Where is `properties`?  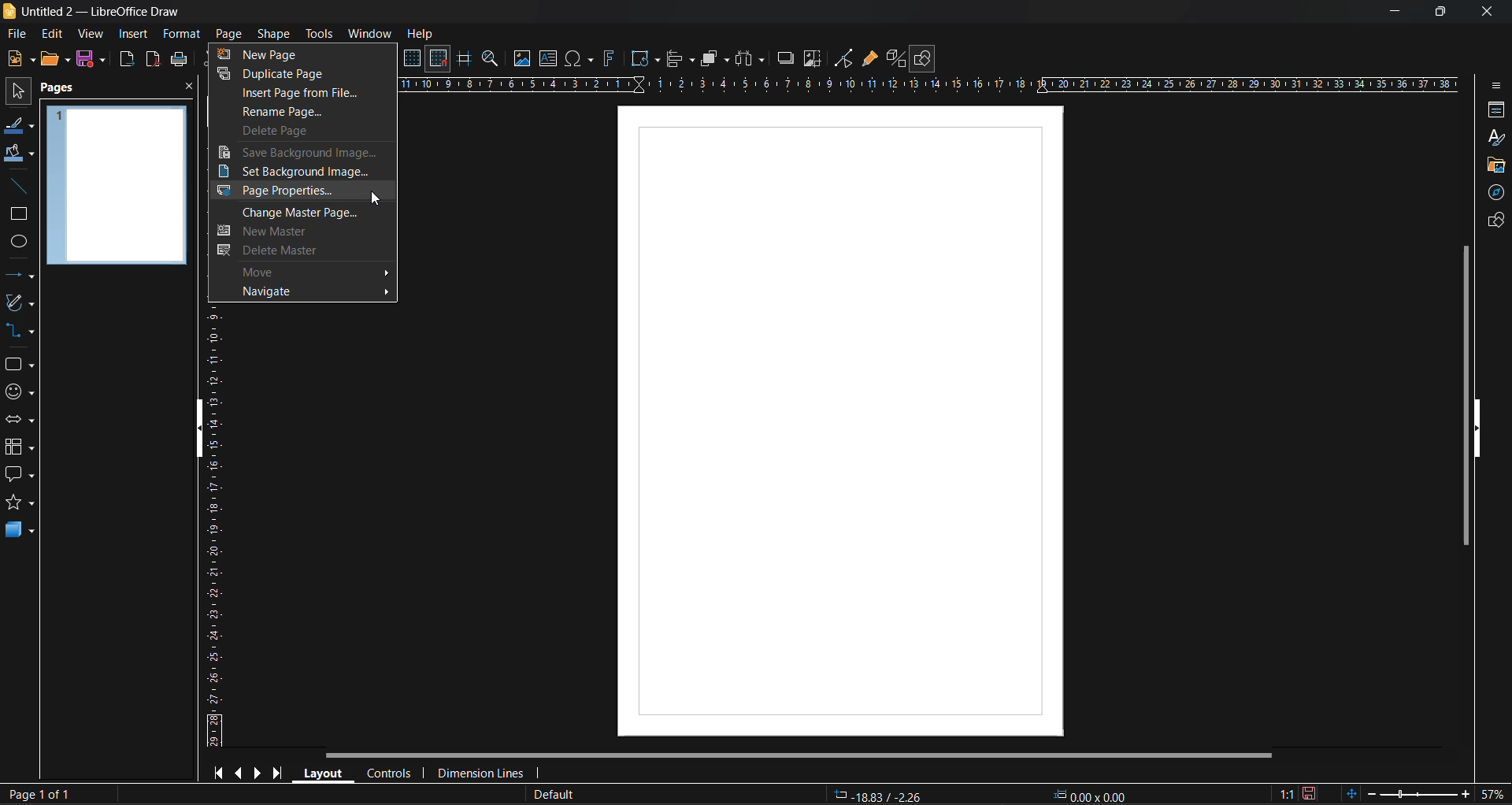
properties is located at coordinates (1495, 109).